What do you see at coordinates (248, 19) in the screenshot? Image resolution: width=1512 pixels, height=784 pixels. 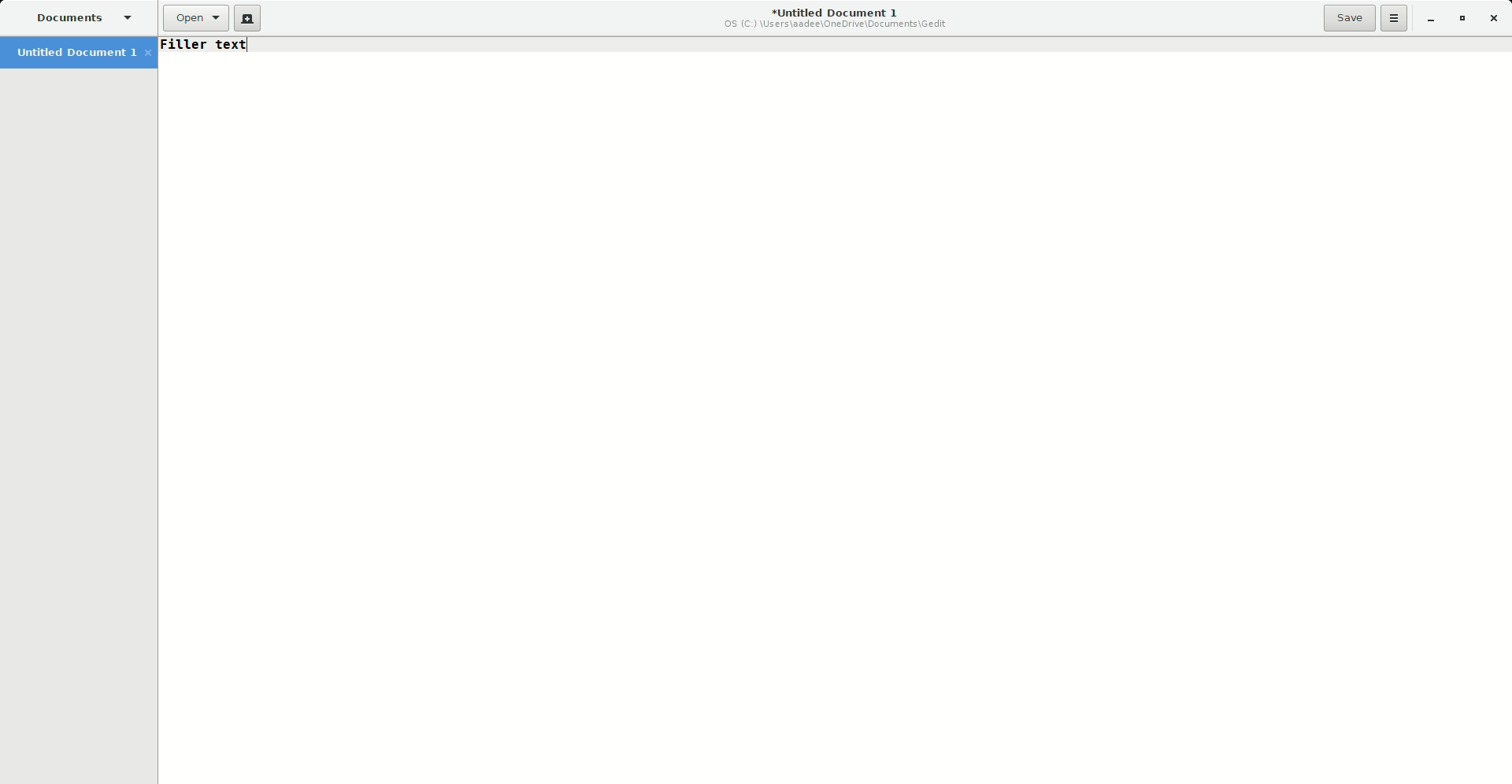 I see `New` at bounding box center [248, 19].